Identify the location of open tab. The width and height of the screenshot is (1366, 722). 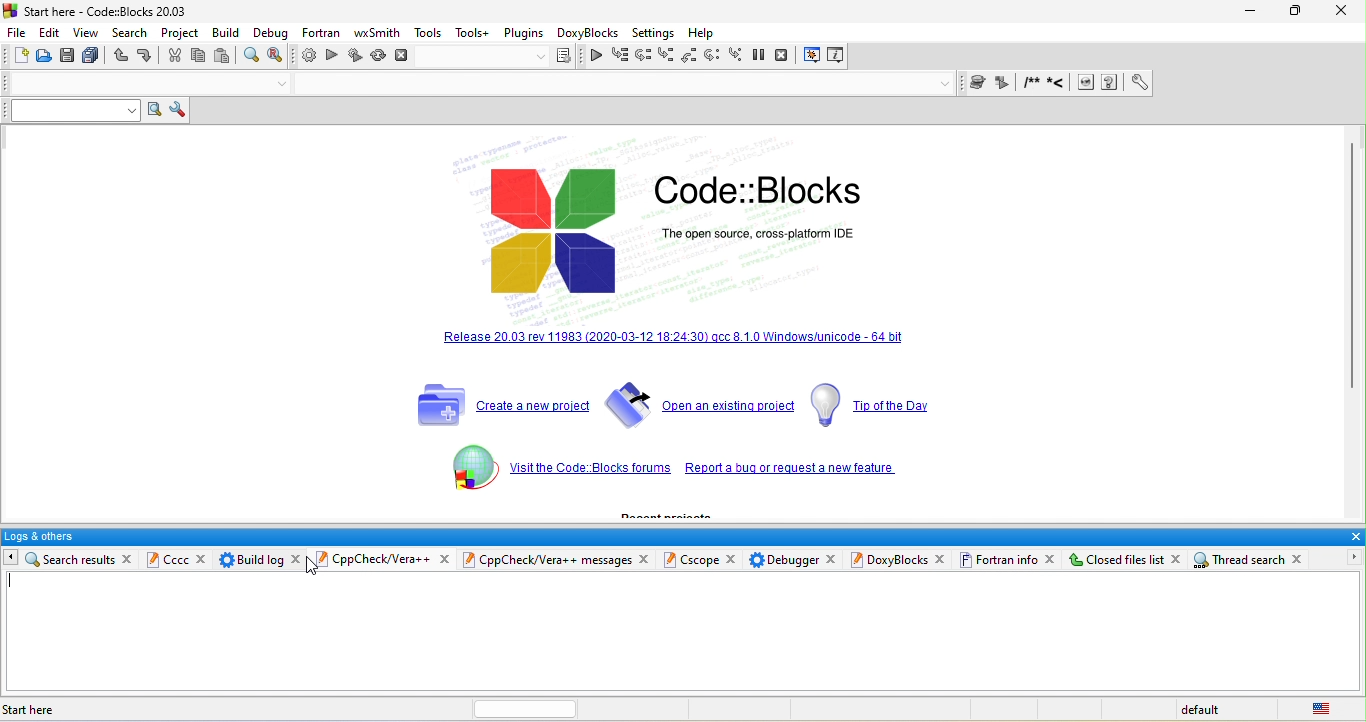
(614, 84).